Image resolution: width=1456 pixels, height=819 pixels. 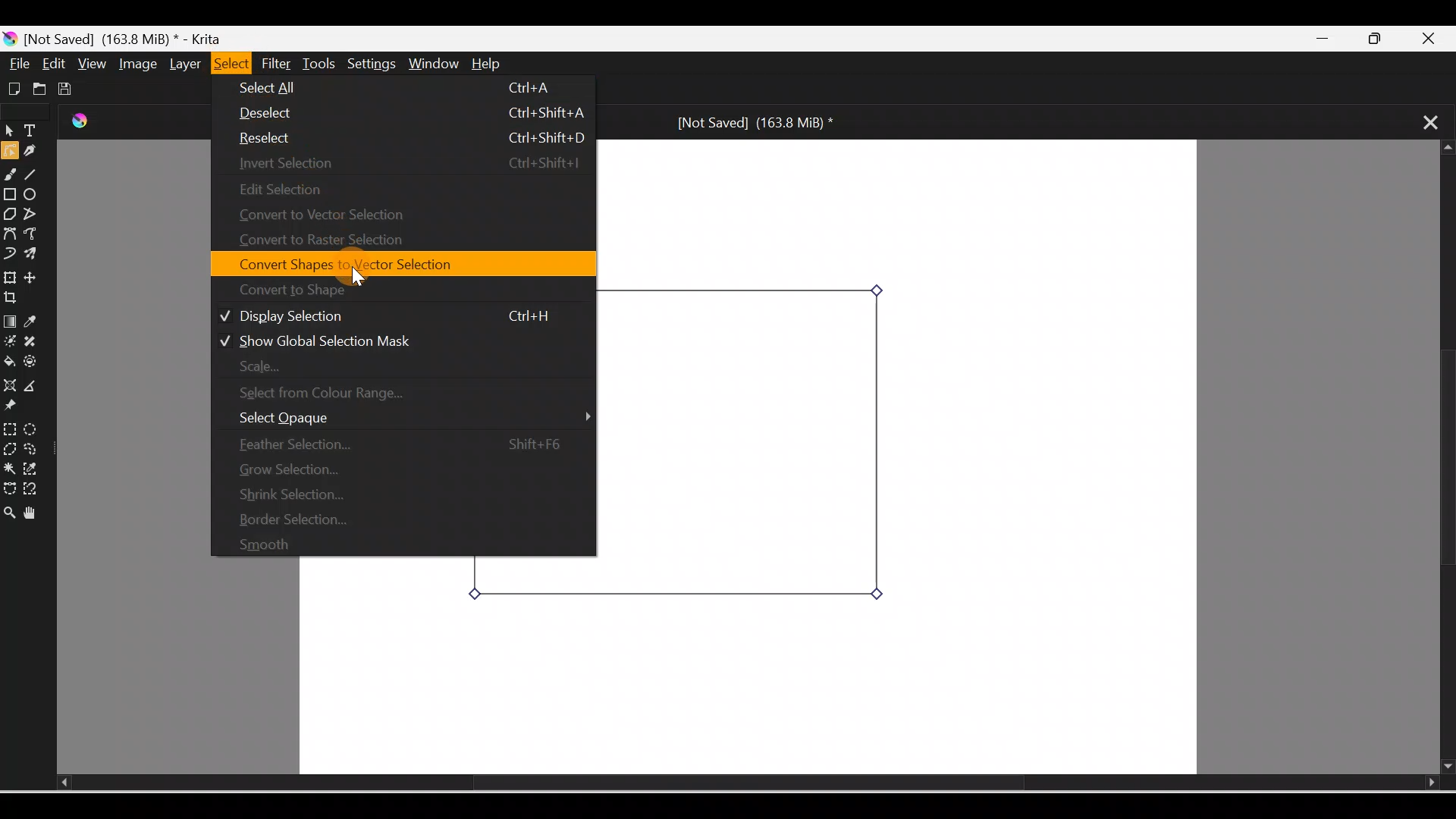 I want to click on Feather selection, so click(x=397, y=441).